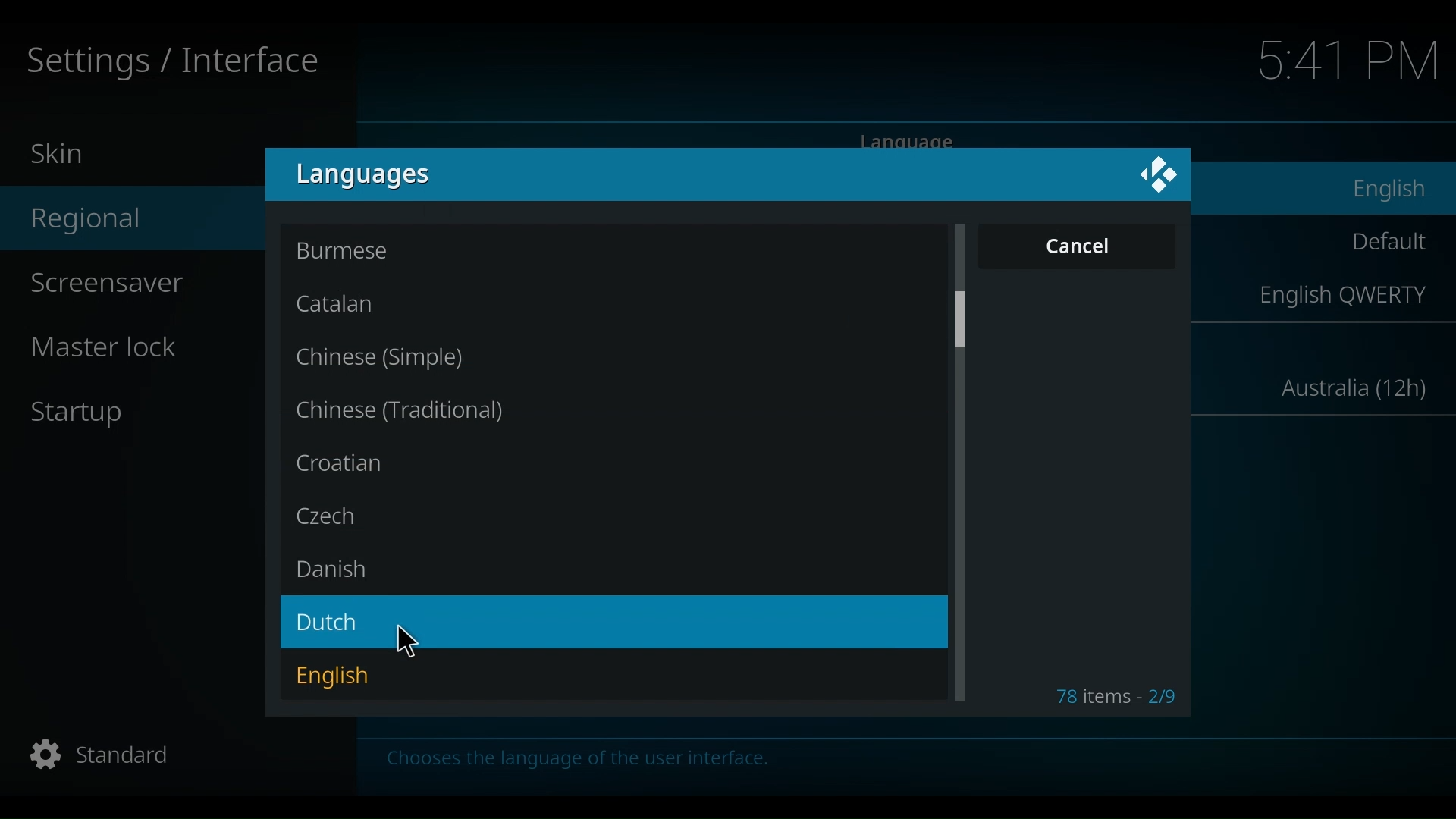  I want to click on time, so click(1346, 61).